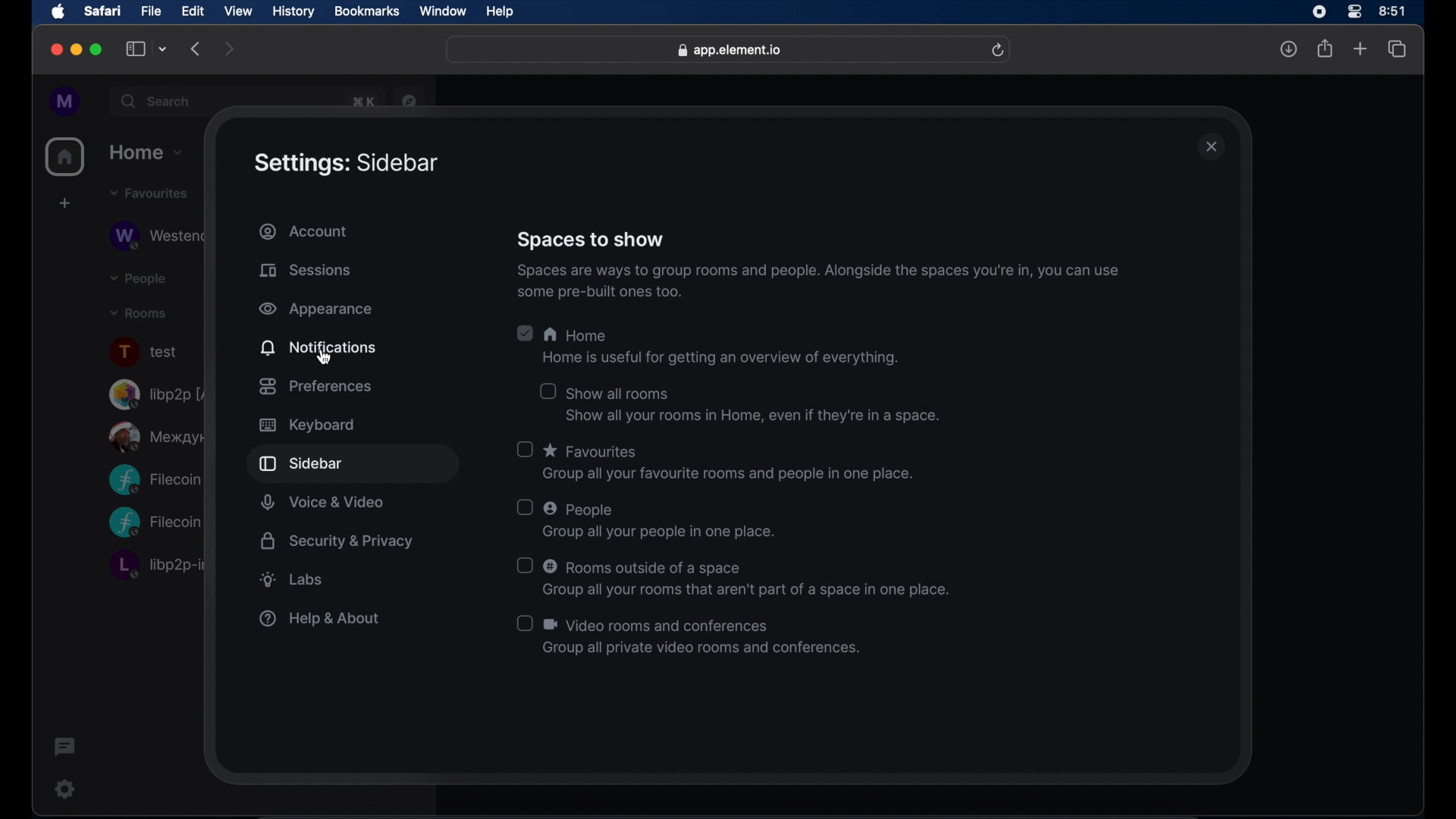 The image size is (1456, 819). Describe the element at coordinates (159, 394) in the screenshot. I see `libp2p room` at that location.